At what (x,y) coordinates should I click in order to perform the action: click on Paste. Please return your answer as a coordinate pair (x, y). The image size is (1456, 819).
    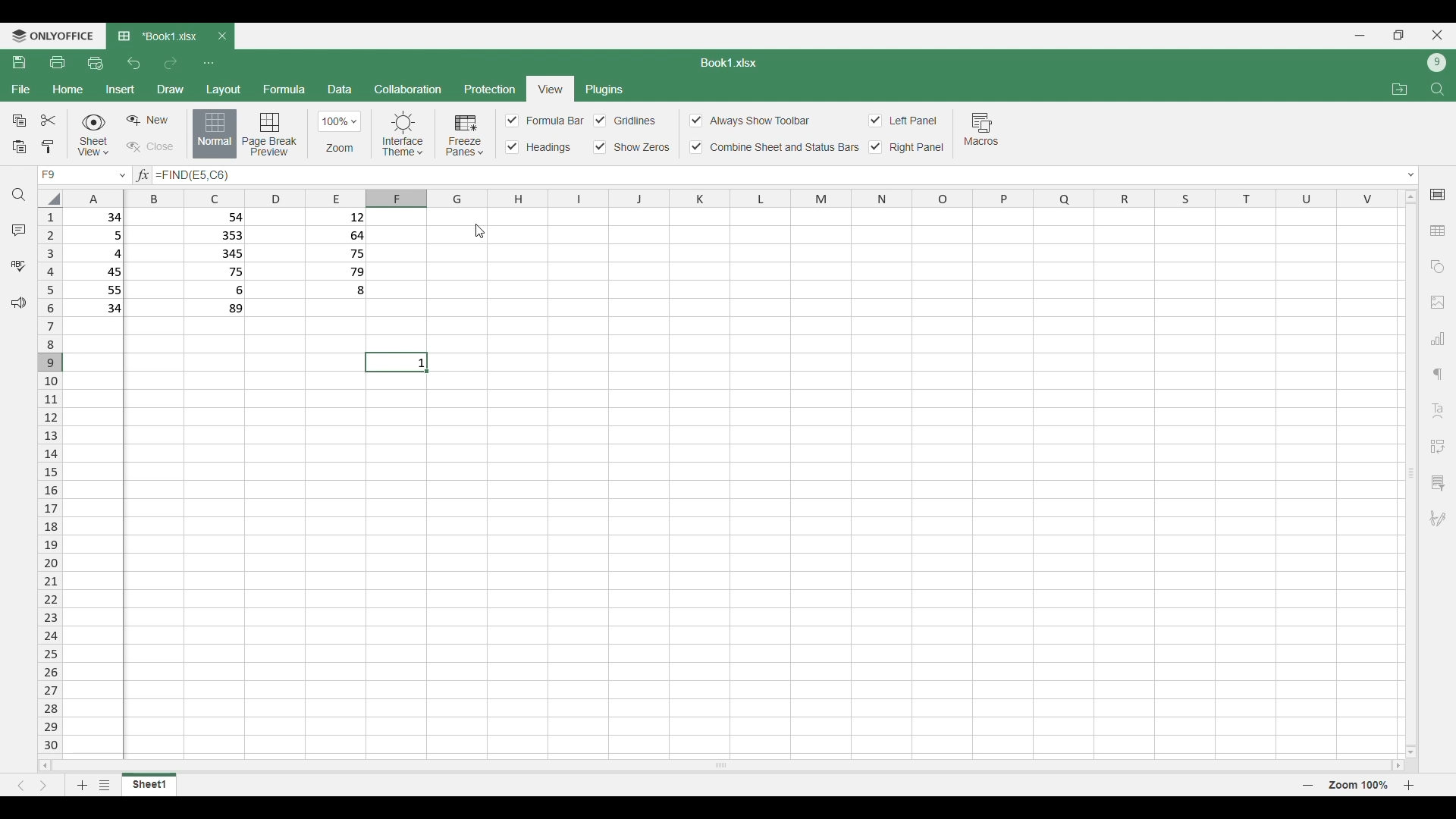
    Looking at the image, I should click on (19, 147).